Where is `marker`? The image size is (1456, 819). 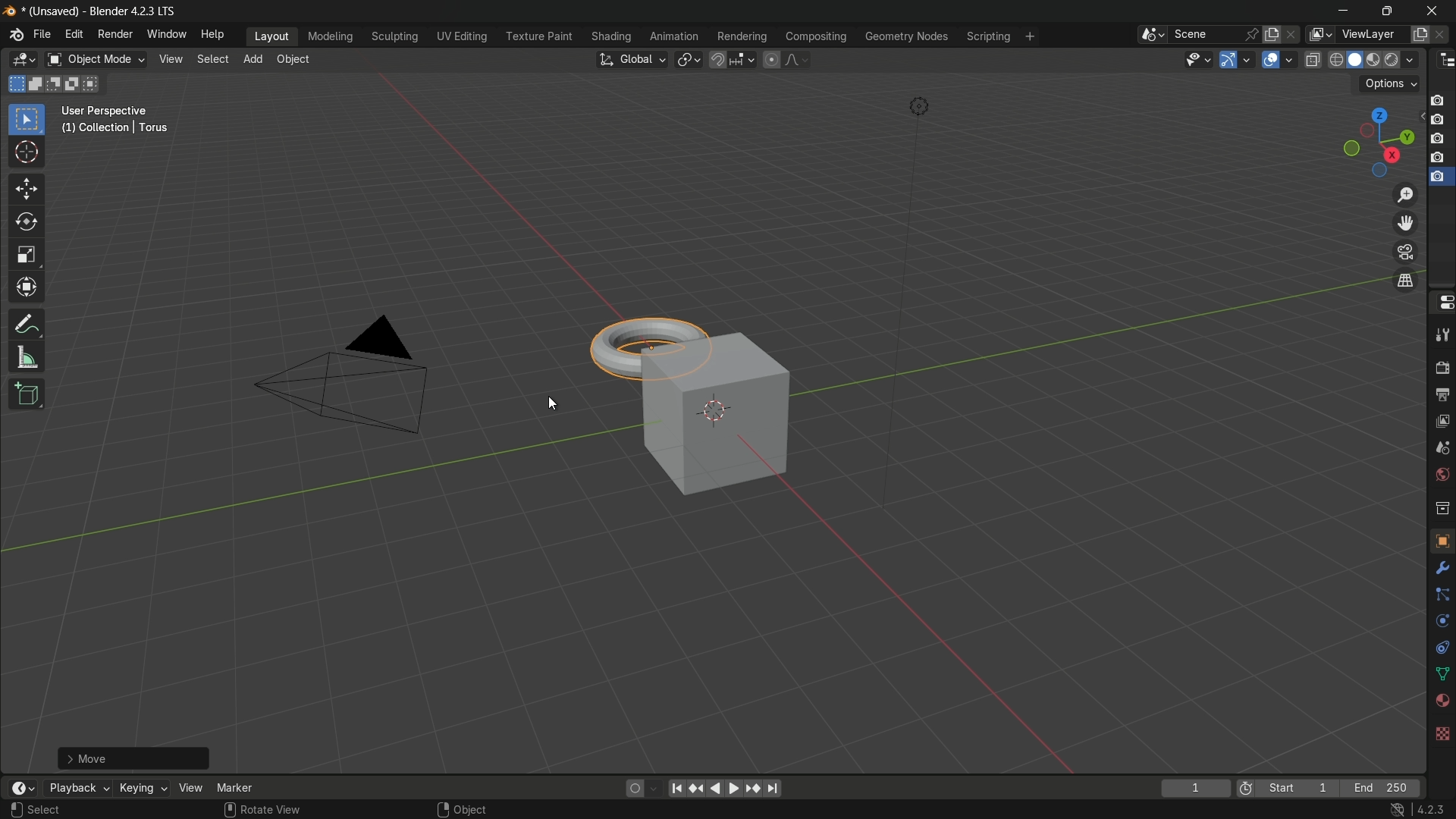
marker is located at coordinates (235, 787).